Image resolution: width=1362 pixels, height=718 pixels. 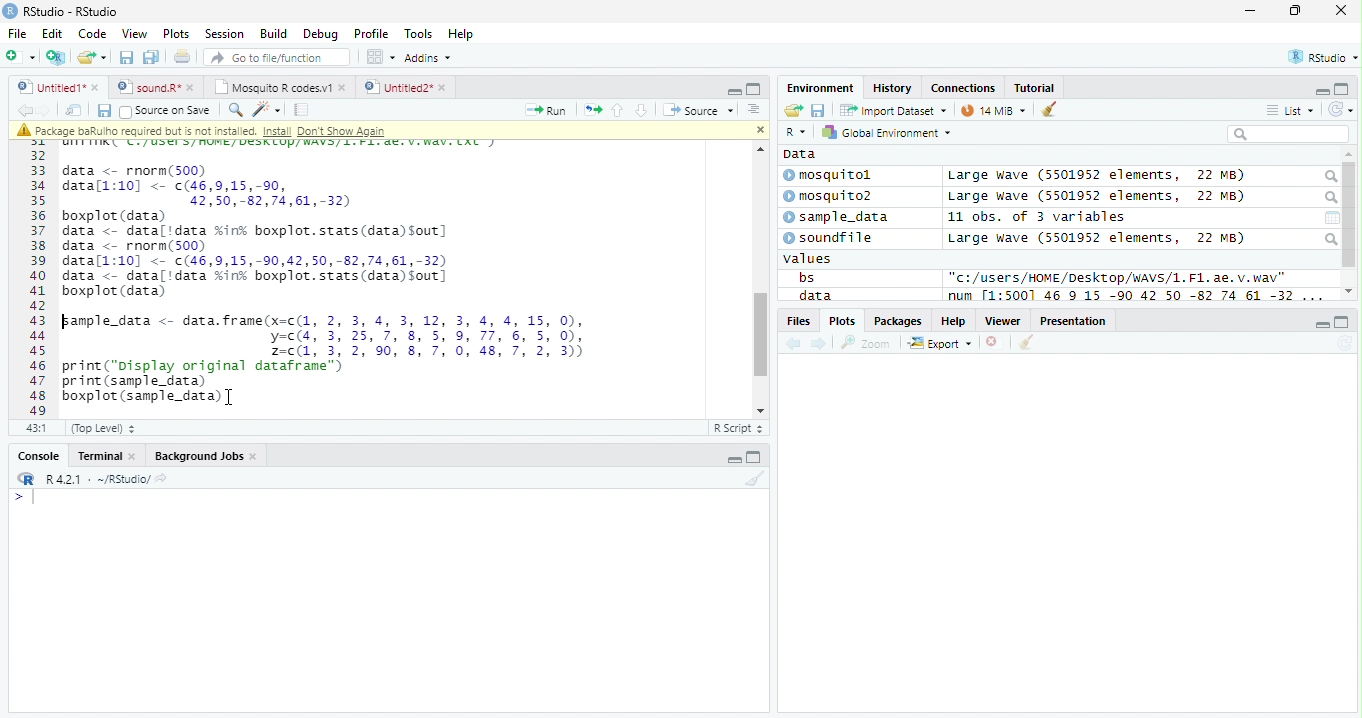 I want to click on Data, so click(x=800, y=154).